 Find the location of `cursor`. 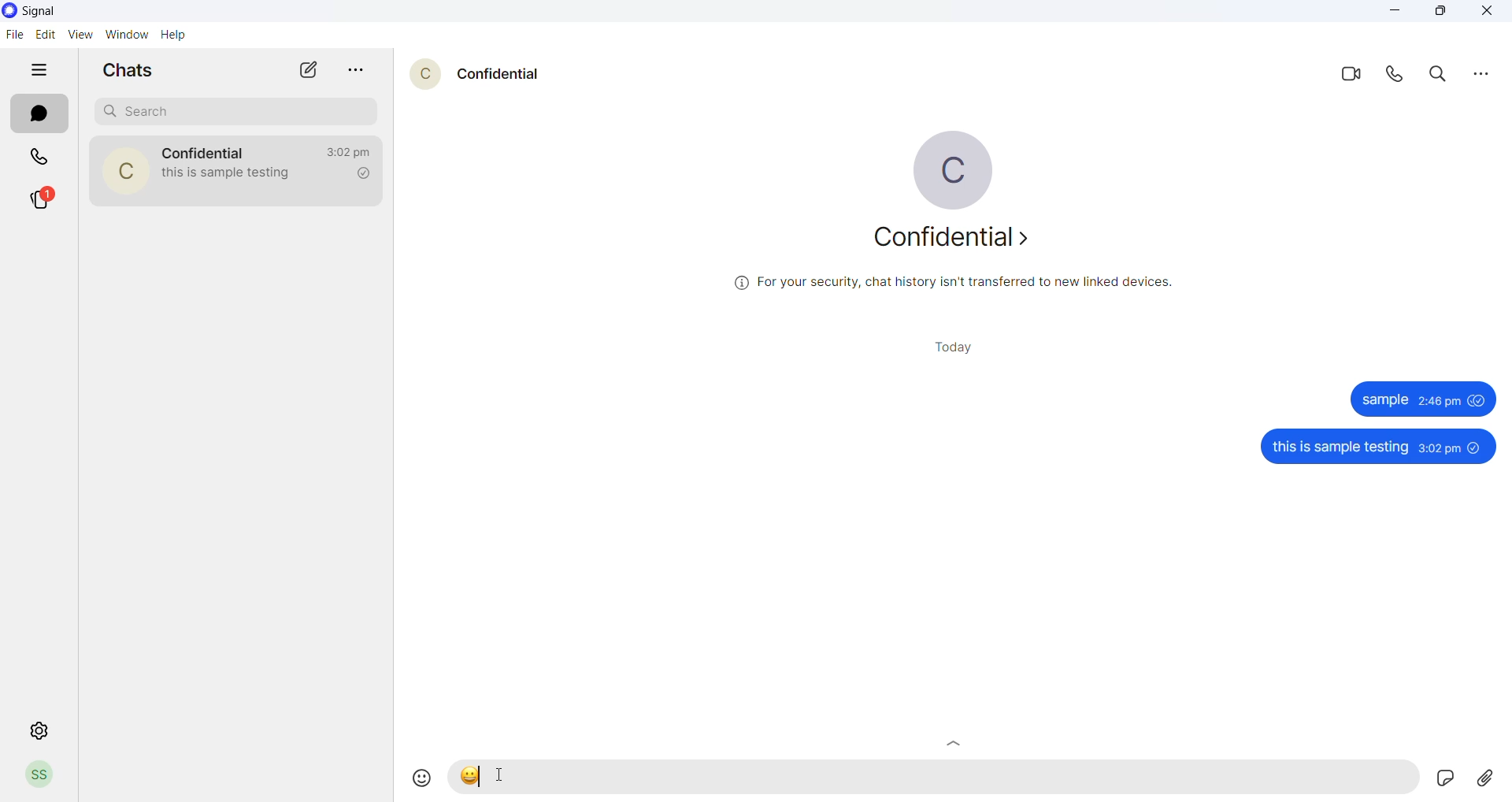

cursor is located at coordinates (503, 776).